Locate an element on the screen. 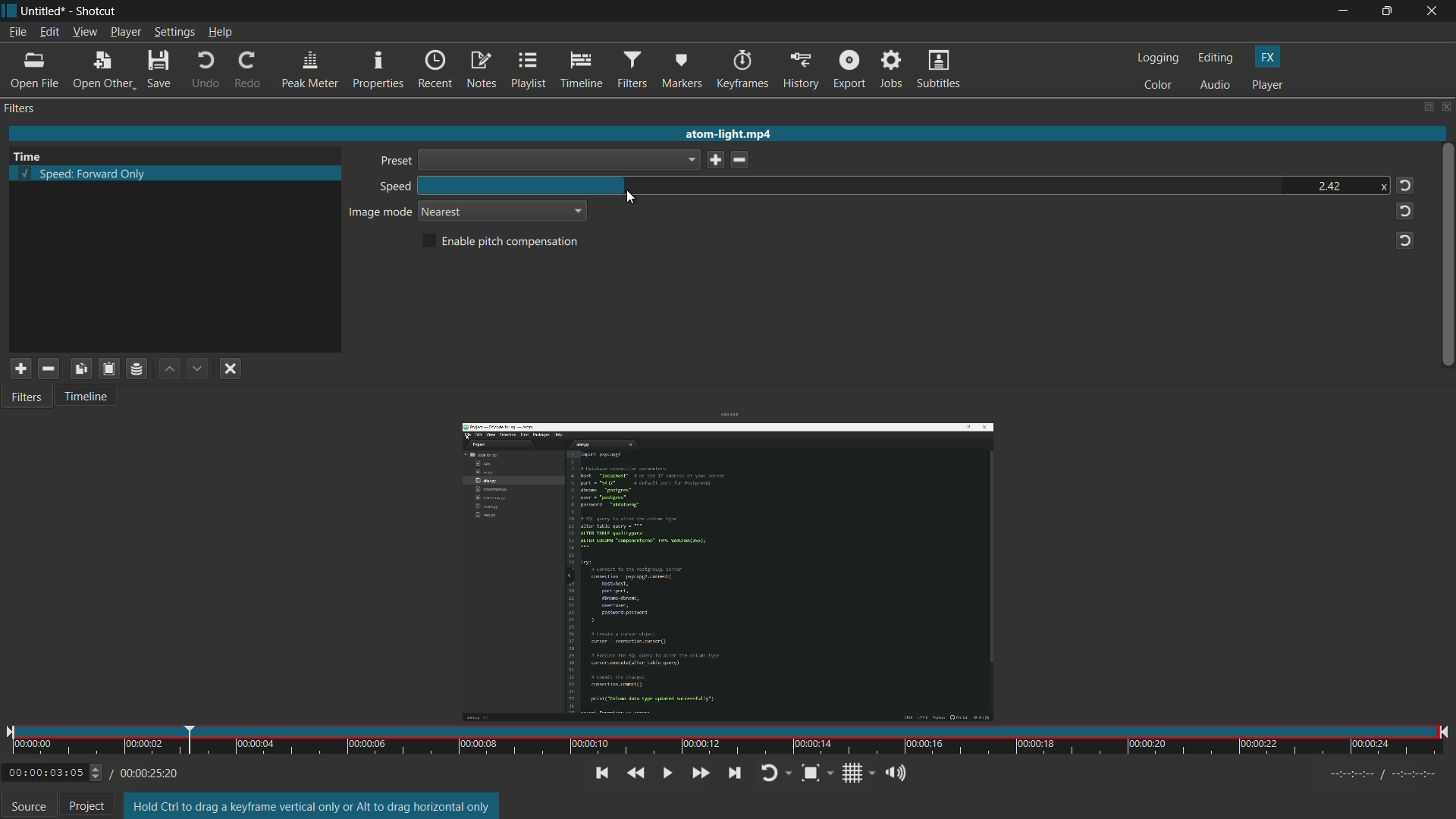 The image size is (1456, 819). timeline is located at coordinates (581, 71).